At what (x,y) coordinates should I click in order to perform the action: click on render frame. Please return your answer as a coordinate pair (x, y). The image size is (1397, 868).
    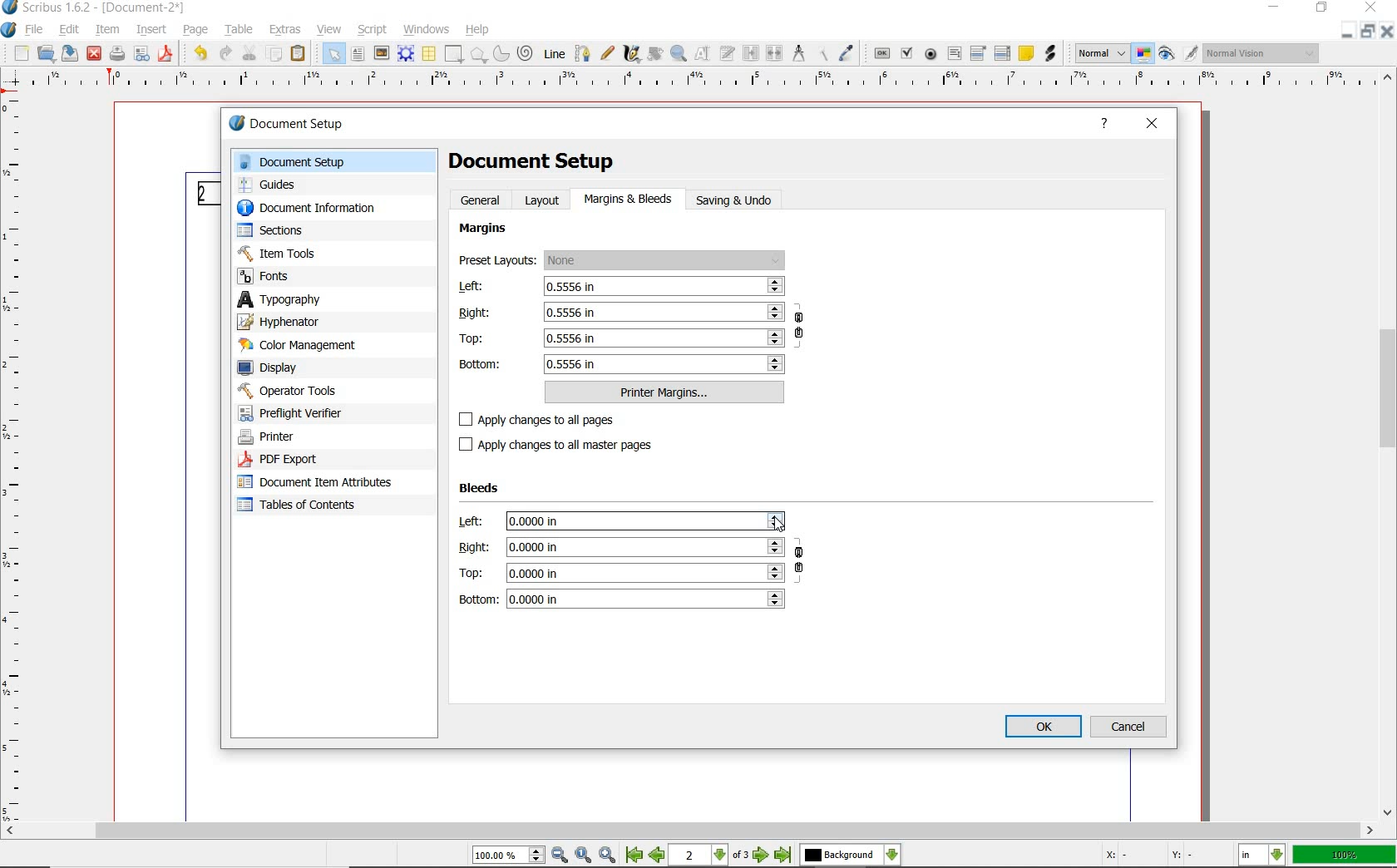
    Looking at the image, I should click on (406, 52).